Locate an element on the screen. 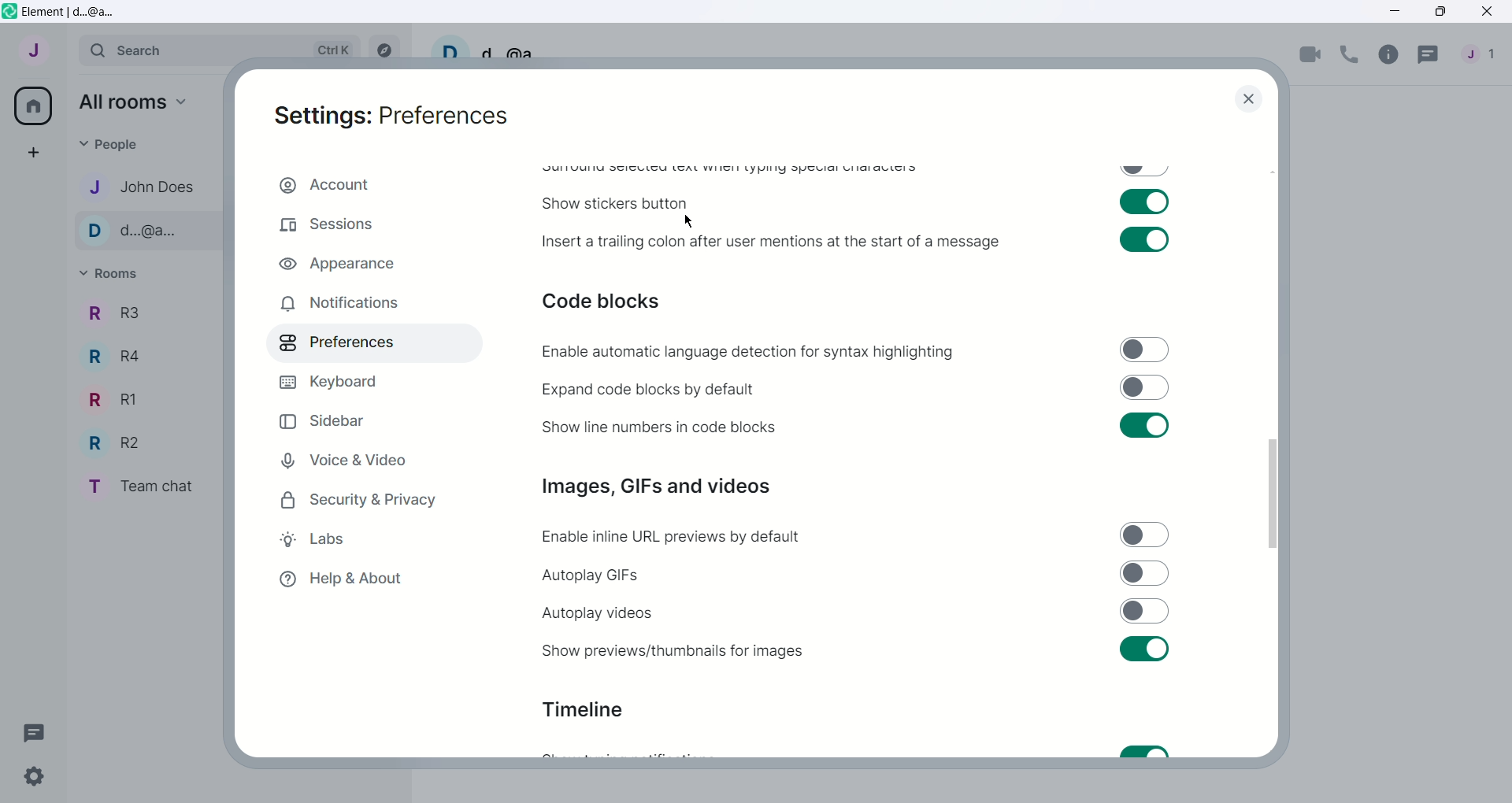  Account  is located at coordinates (374, 186).